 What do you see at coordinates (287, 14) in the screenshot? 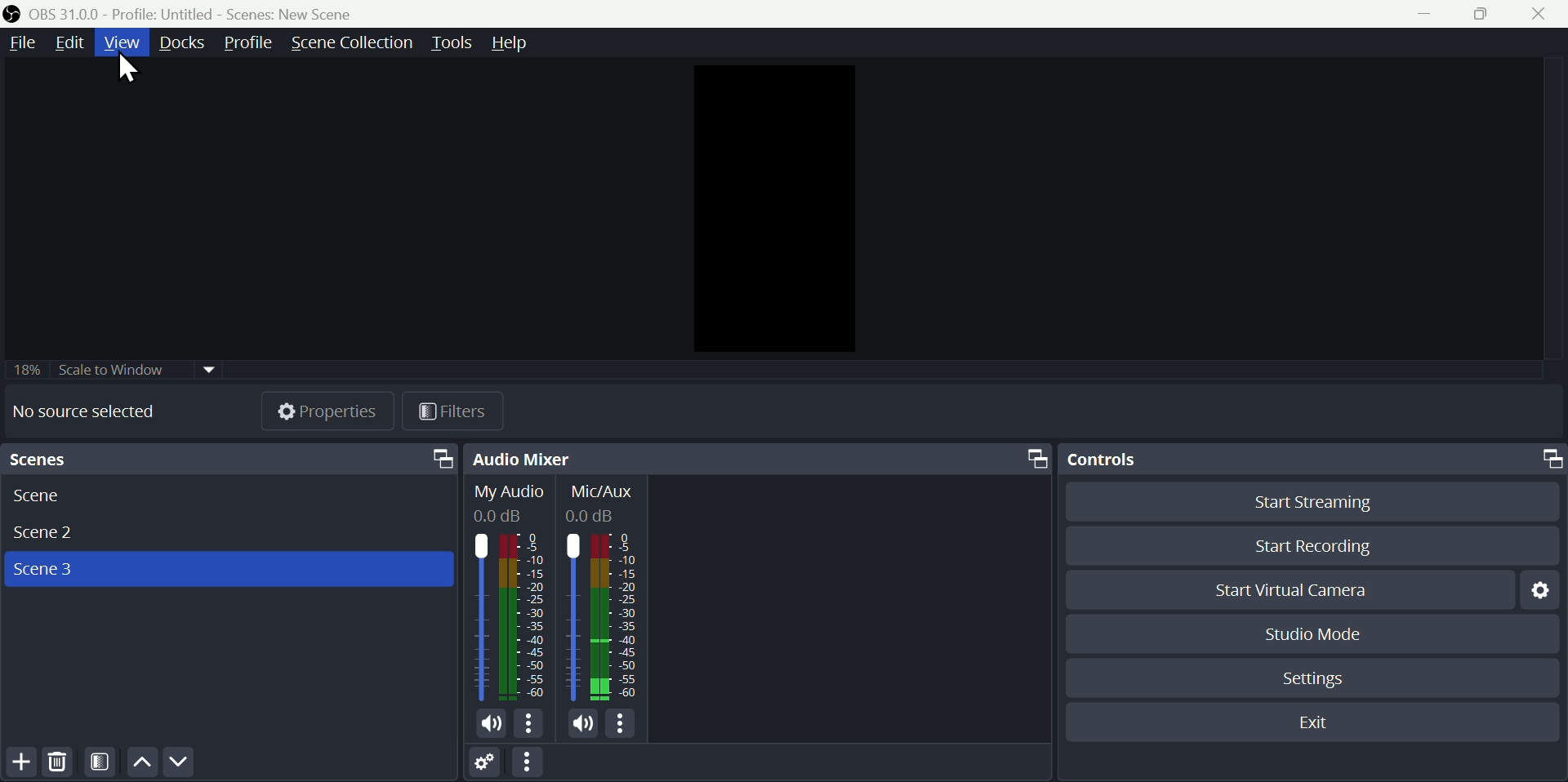
I see `Scenes Title` at bounding box center [287, 14].